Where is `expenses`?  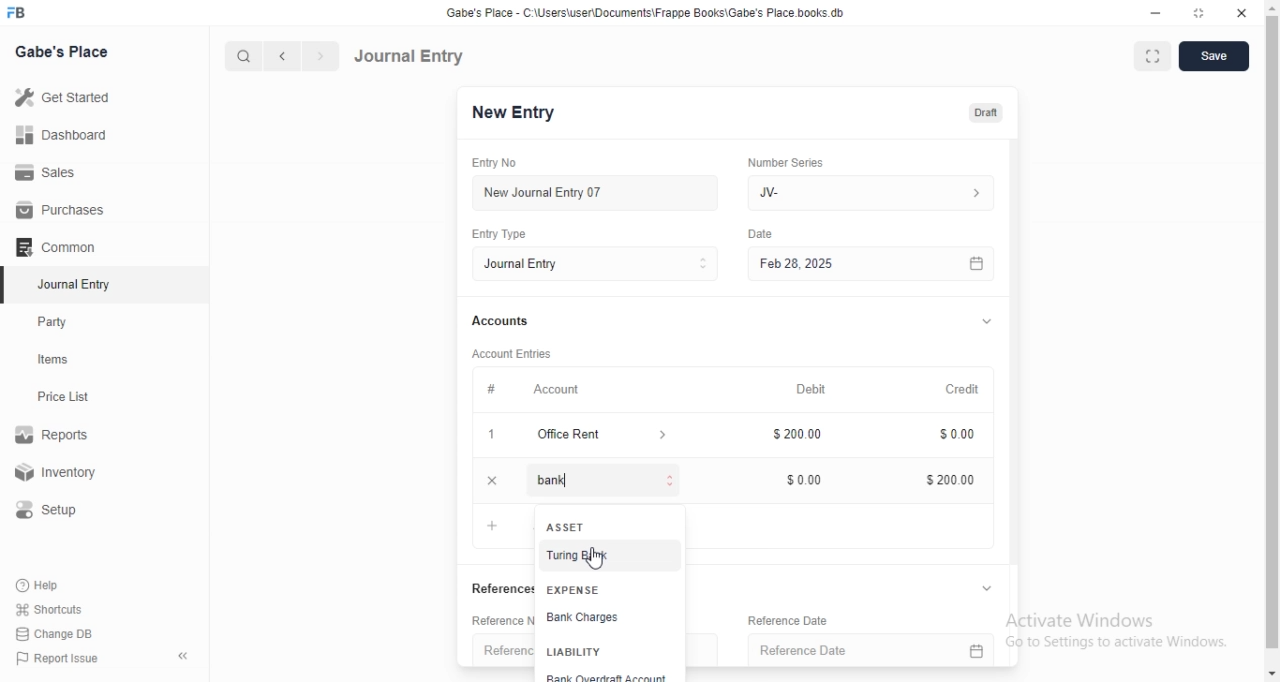 expenses is located at coordinates (604, 588).